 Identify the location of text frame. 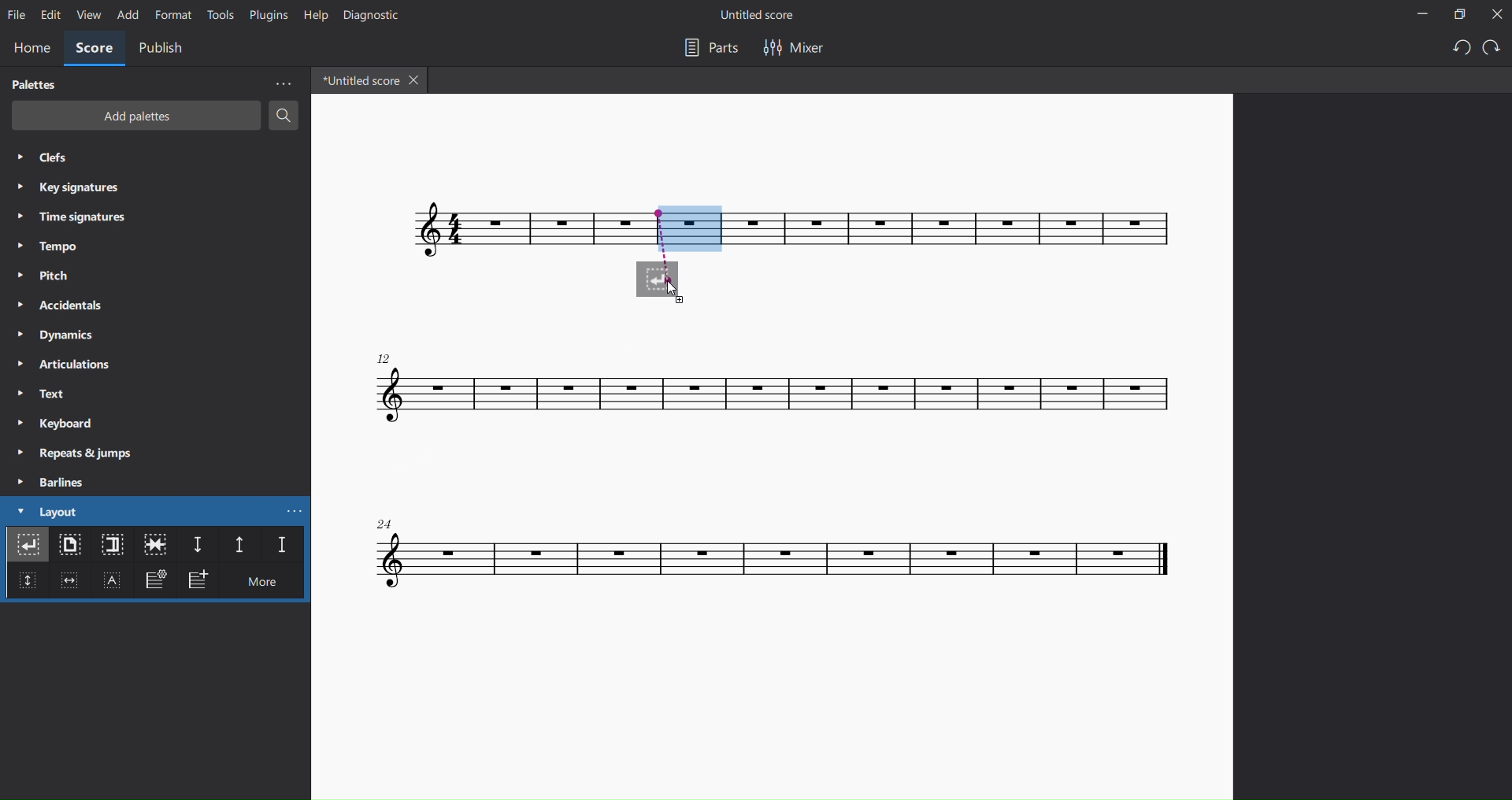
(114, 583).